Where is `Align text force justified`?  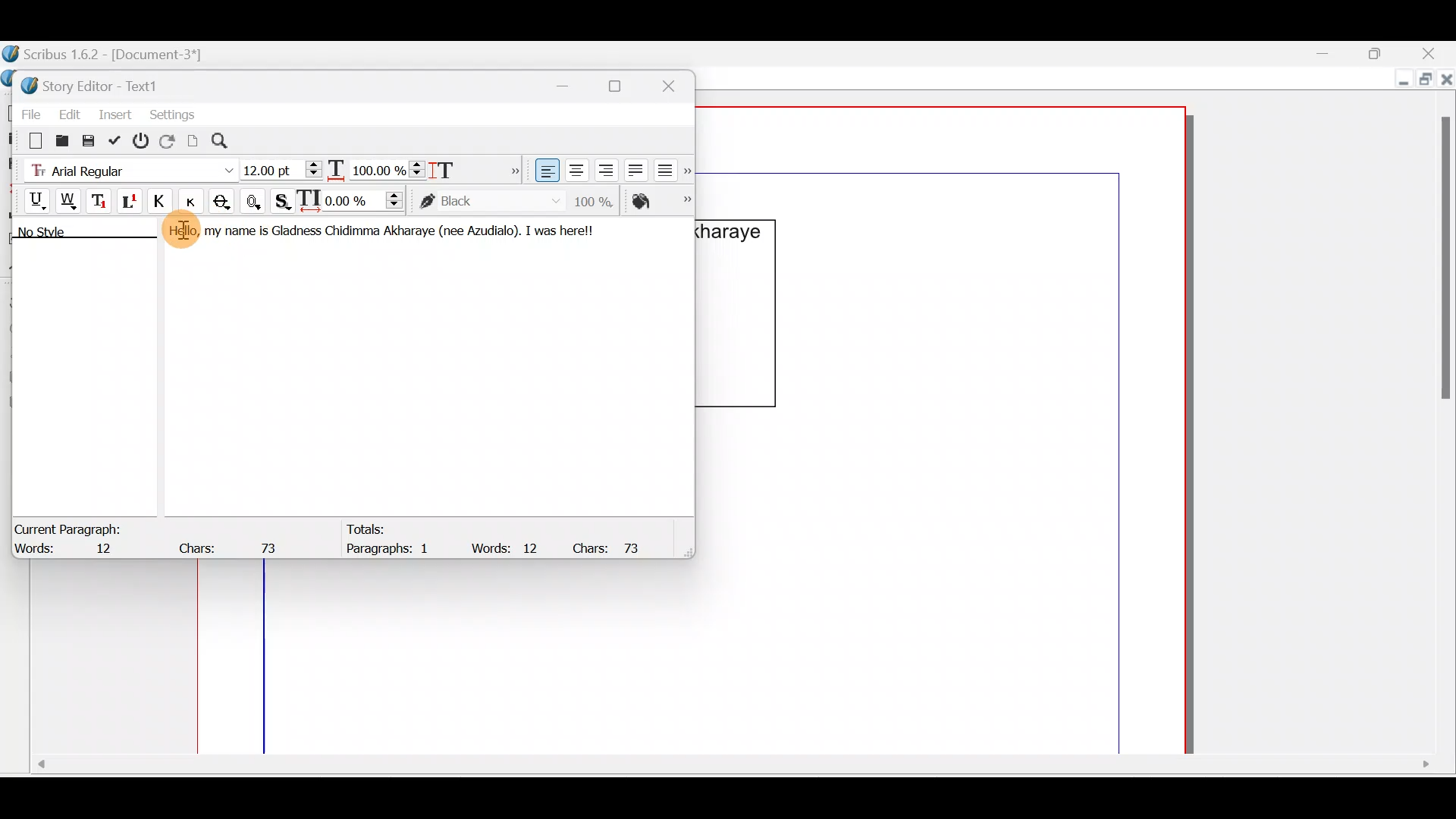
Align text force justified is located at coordinates (670, 167).